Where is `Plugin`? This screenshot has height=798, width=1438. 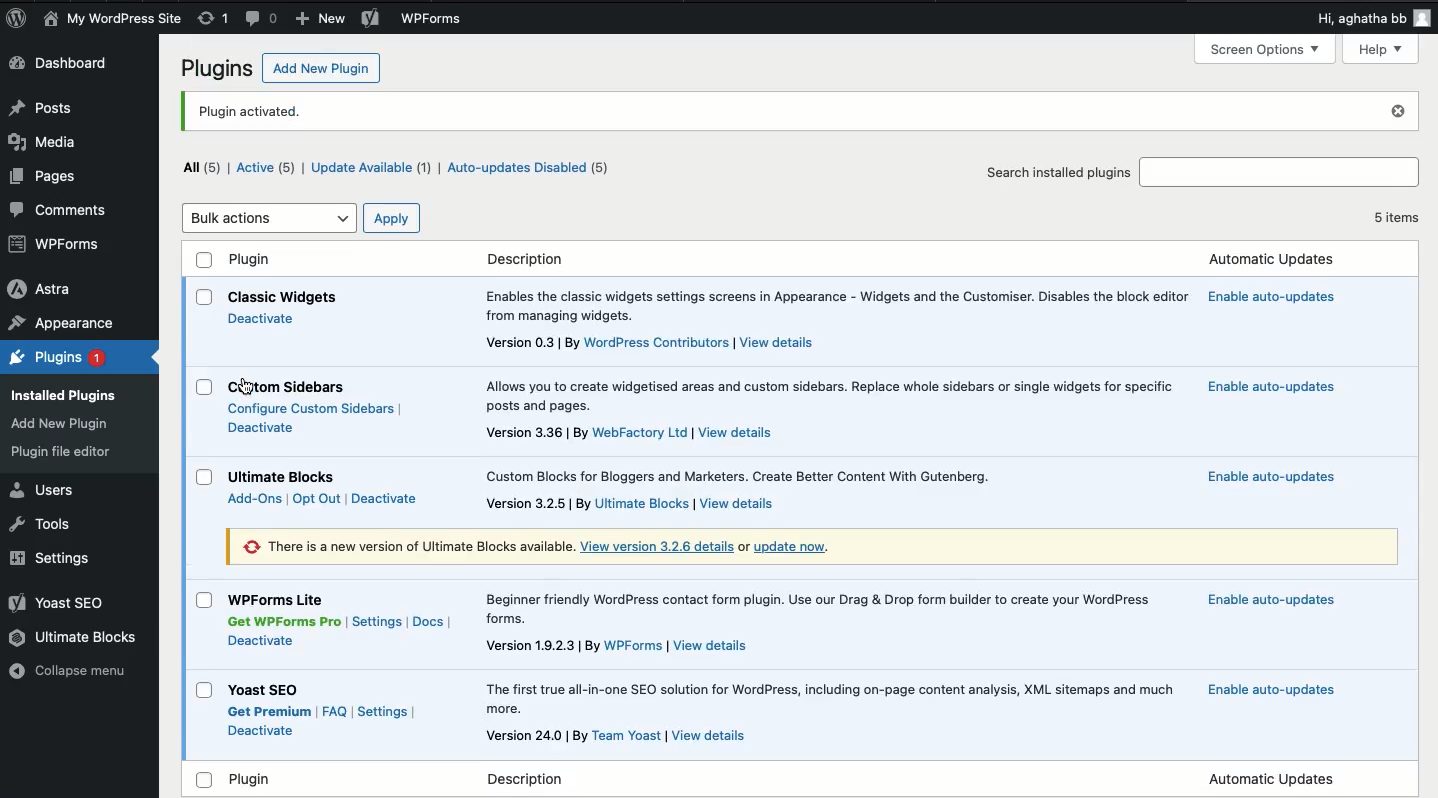
Plugin is located at coordinates (764, 261).